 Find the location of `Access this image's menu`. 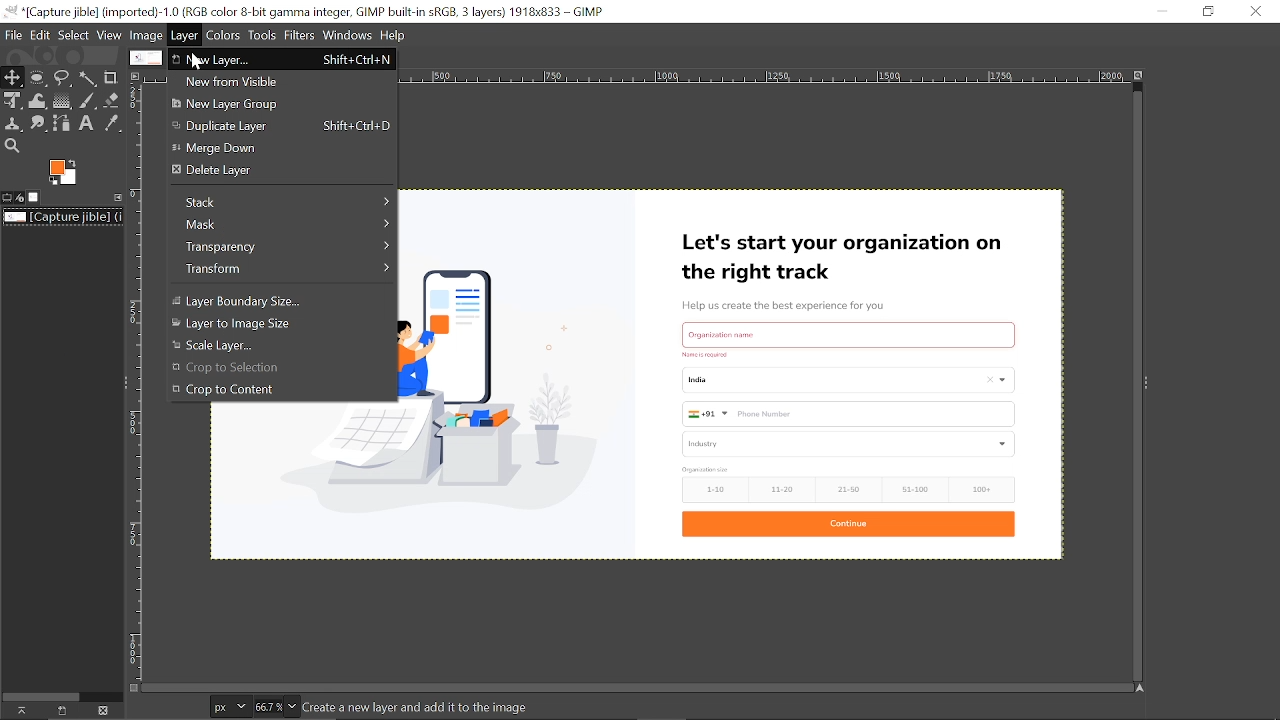

Access this image's menu is located at coordinates (134, 75).